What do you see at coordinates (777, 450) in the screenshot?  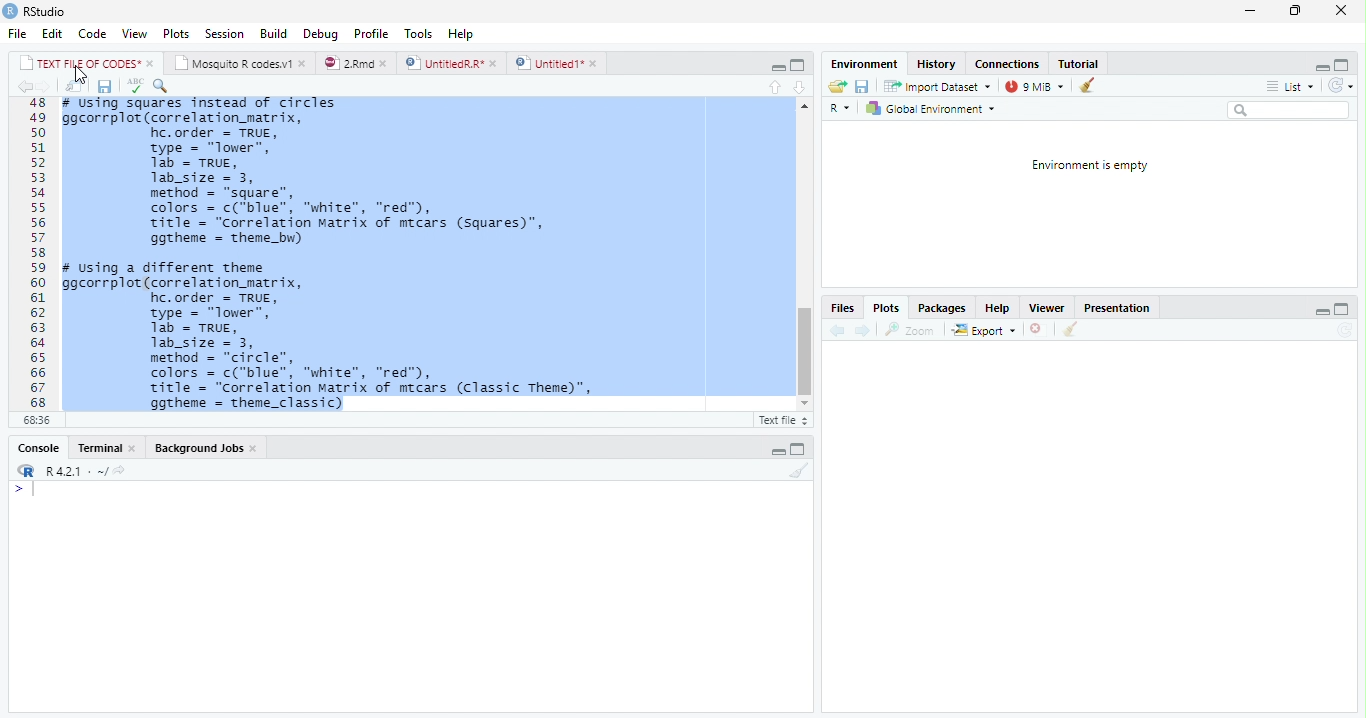 I see `hide r script` at bounding box center [777, 450].